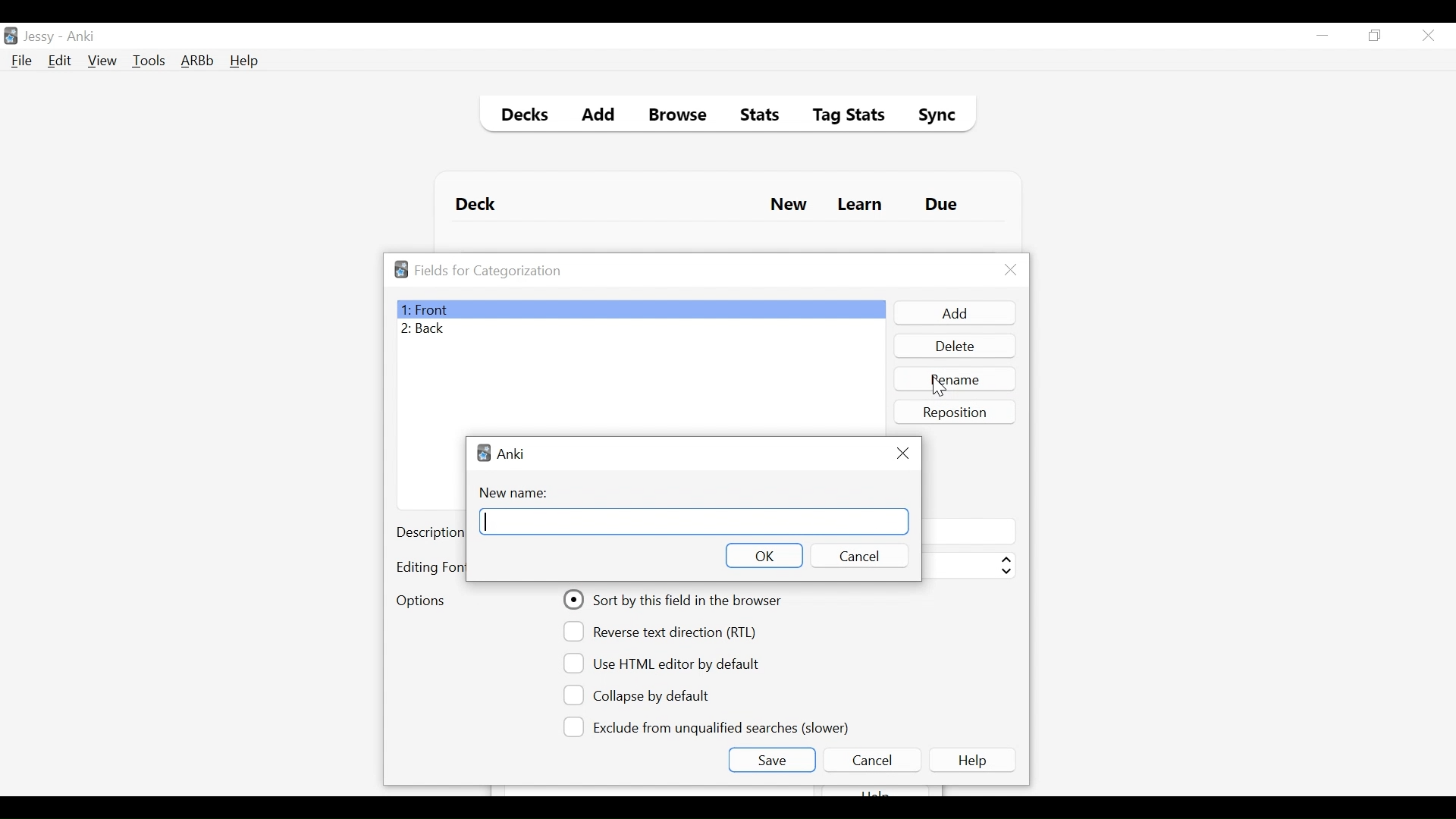  Describe the element at coordinates (430, 534) in the screenshot. I see `Description` at that location.